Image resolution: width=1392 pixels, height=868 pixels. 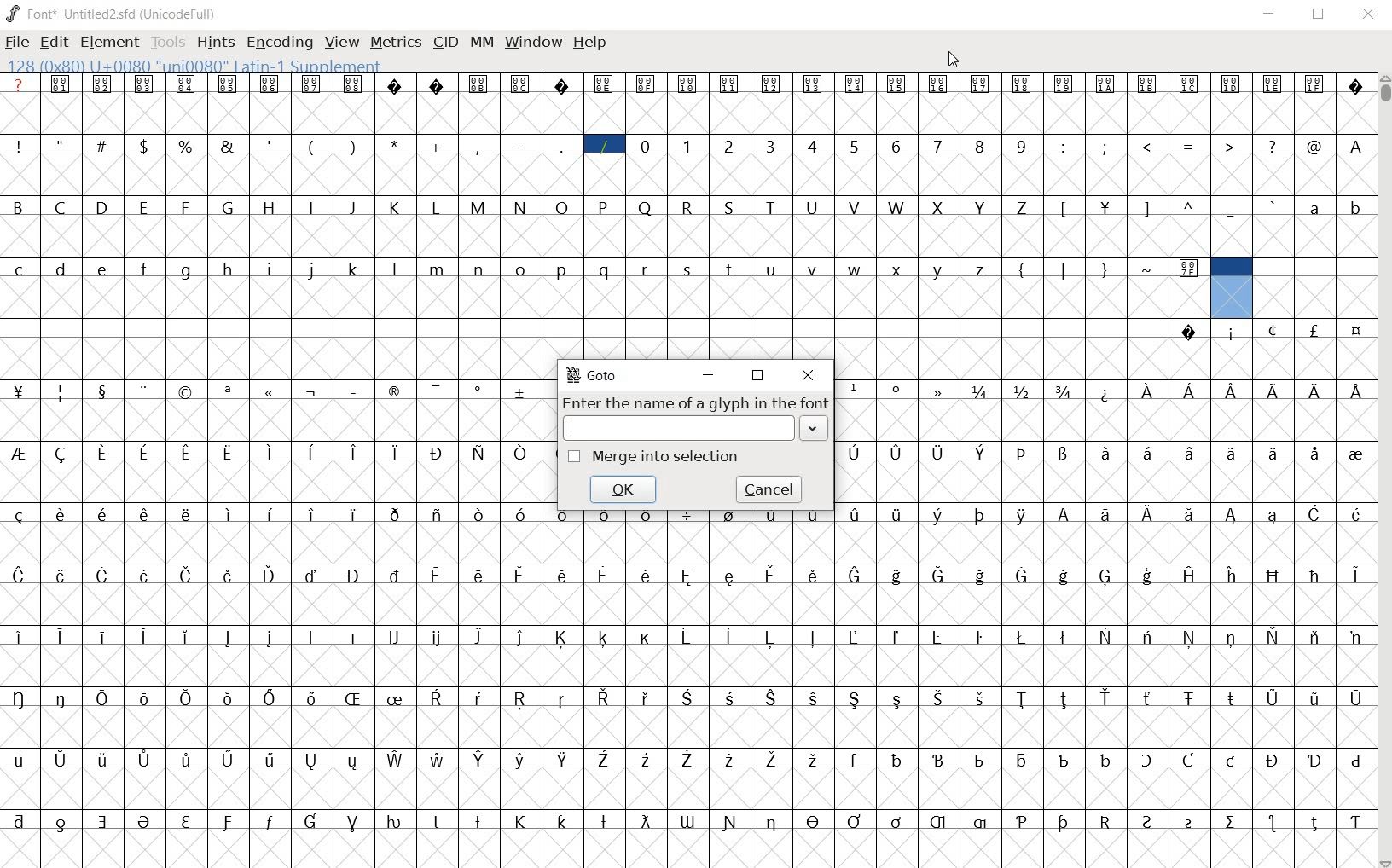 I want to click on mm, so click(x=482, y=43).